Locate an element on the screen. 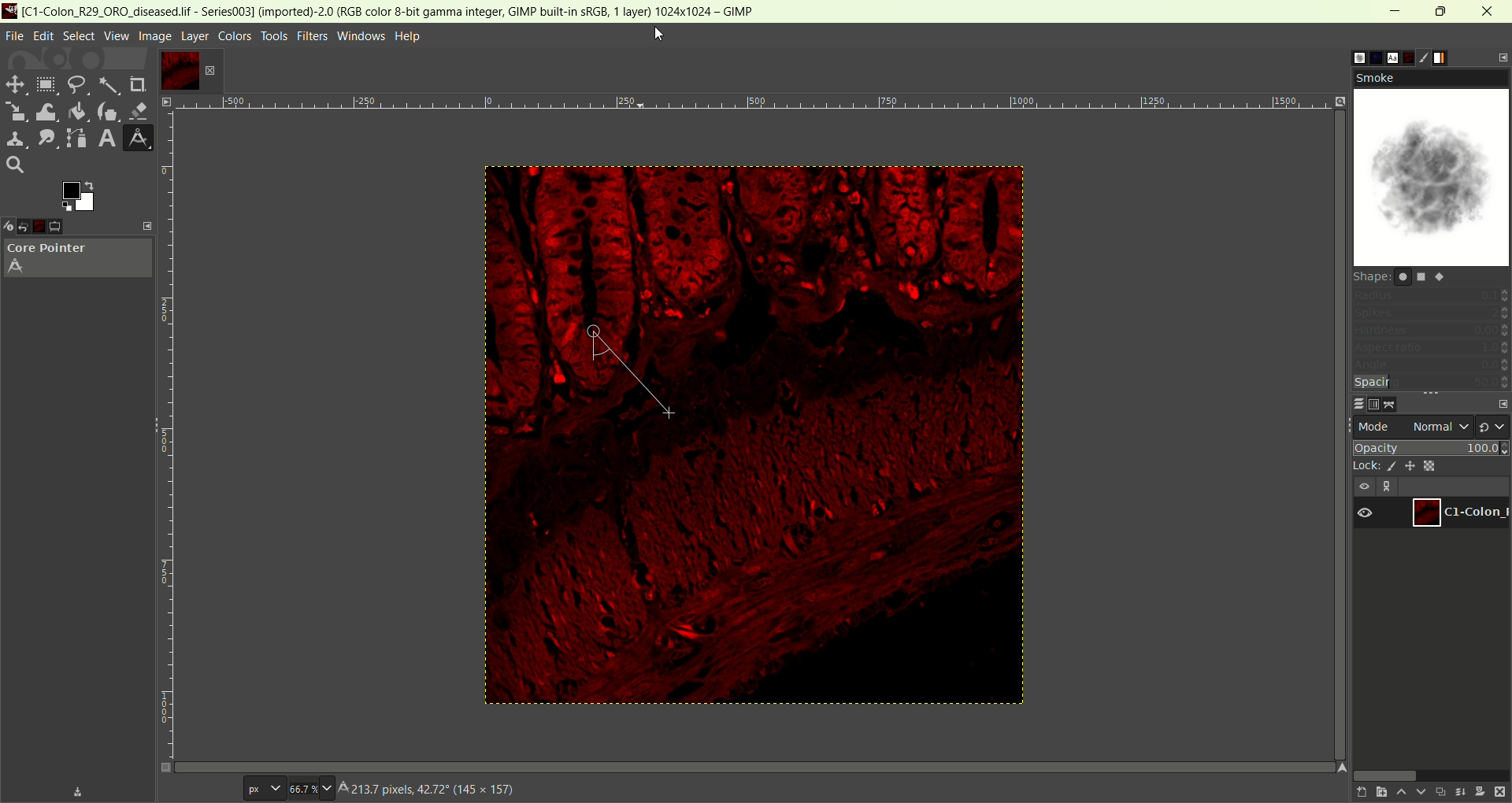 This screenshot has height=803, width=1512. lower this layer one step is located at coordinates (1421, 793).